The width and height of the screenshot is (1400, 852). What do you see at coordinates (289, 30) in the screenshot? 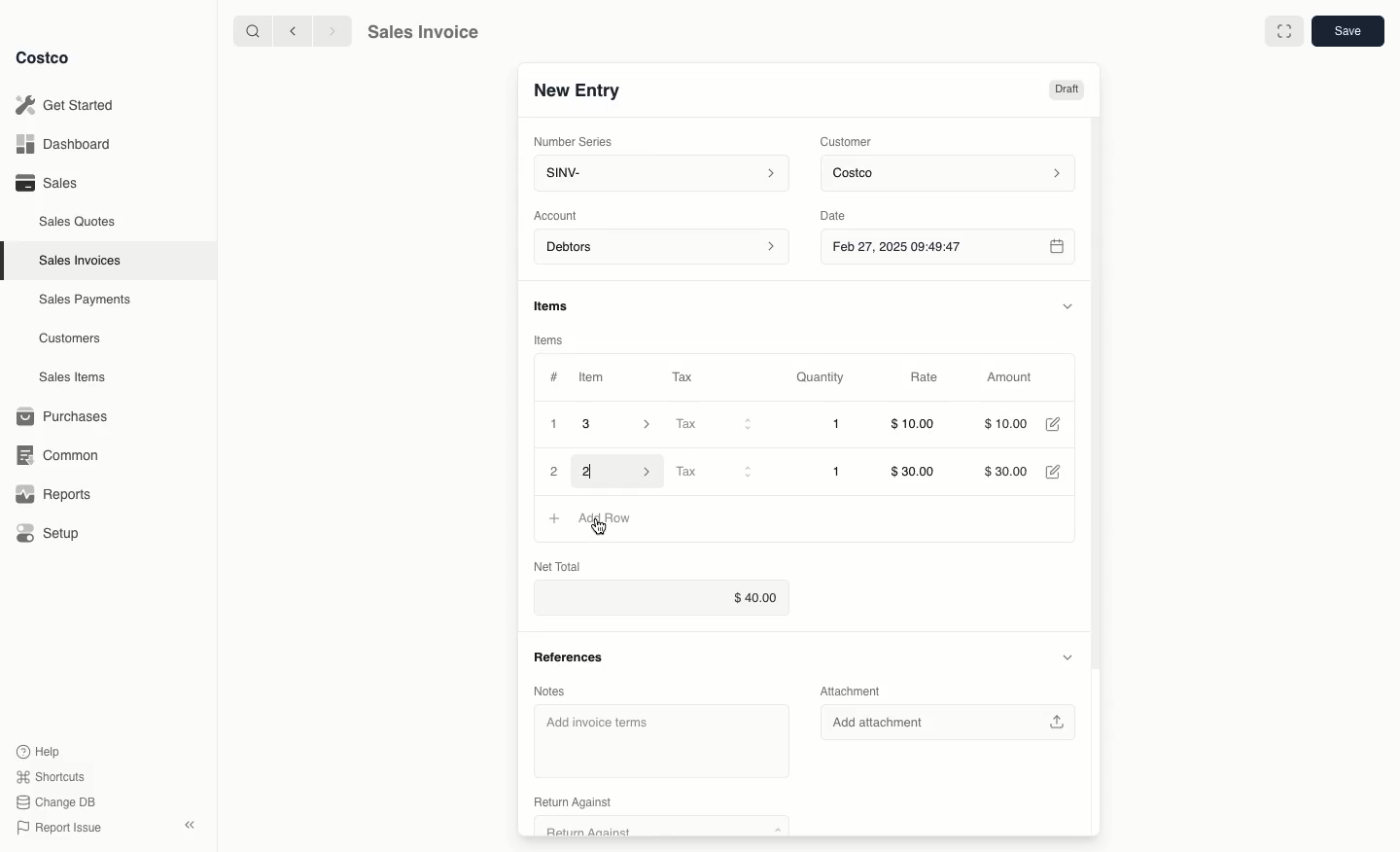
I see `backward` at bounding box center [289, 30].